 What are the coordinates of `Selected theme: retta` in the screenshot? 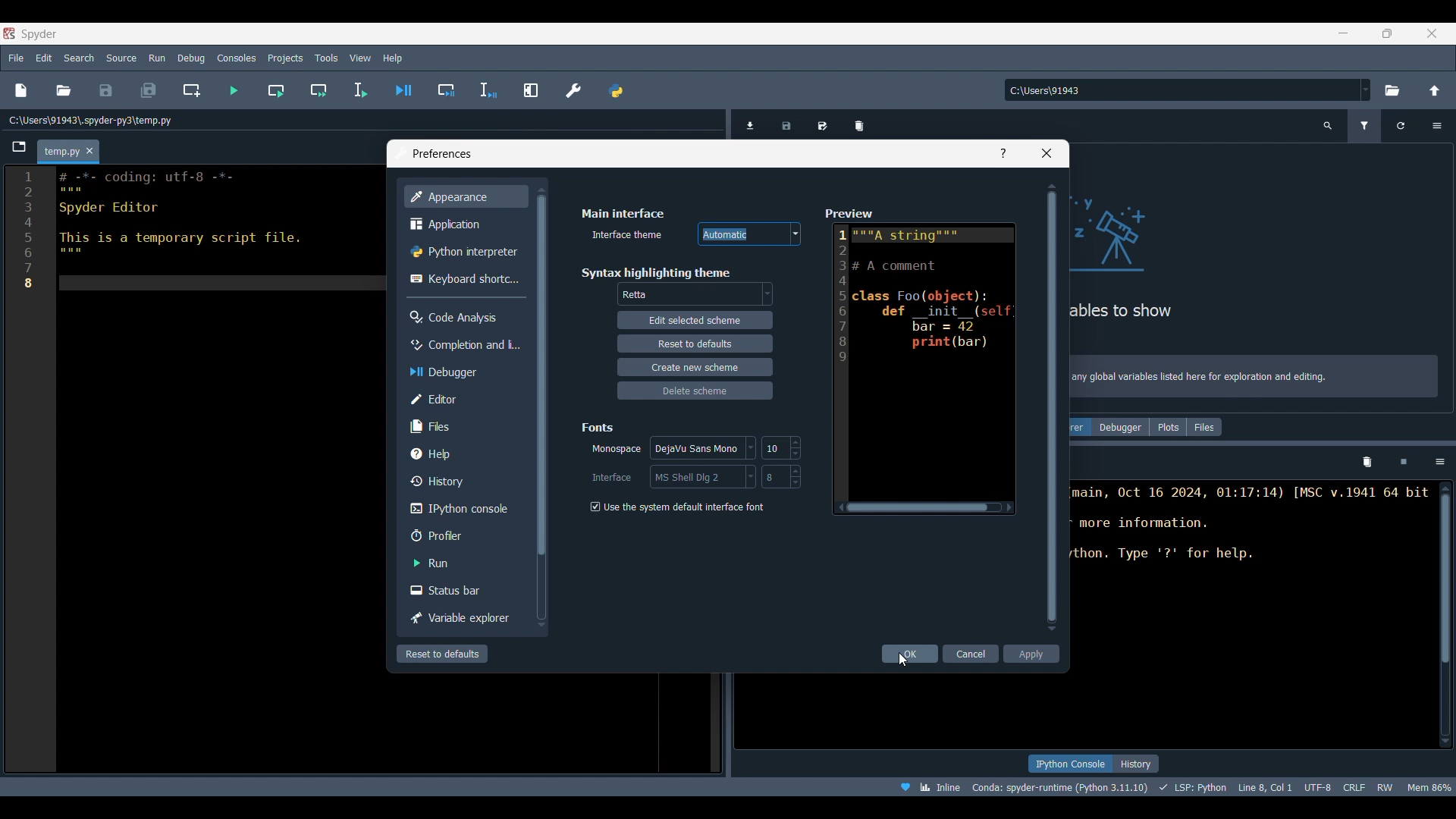 It's located at (637, 295).